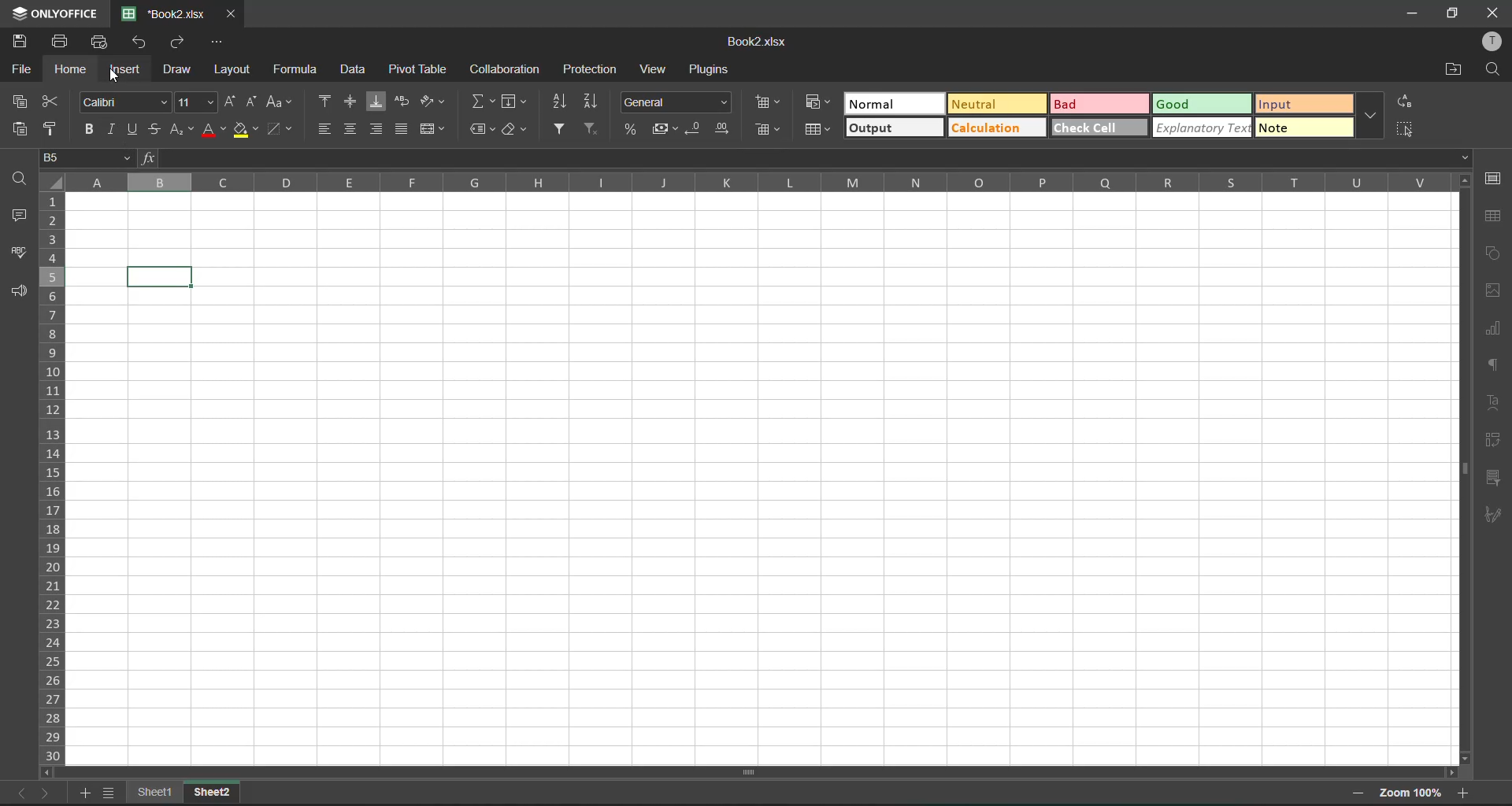 The height and width of the screenshot is (806, 1512). Describe the element at coordinates (421, 68) in the screenshot. I see `pivot table` at that location.